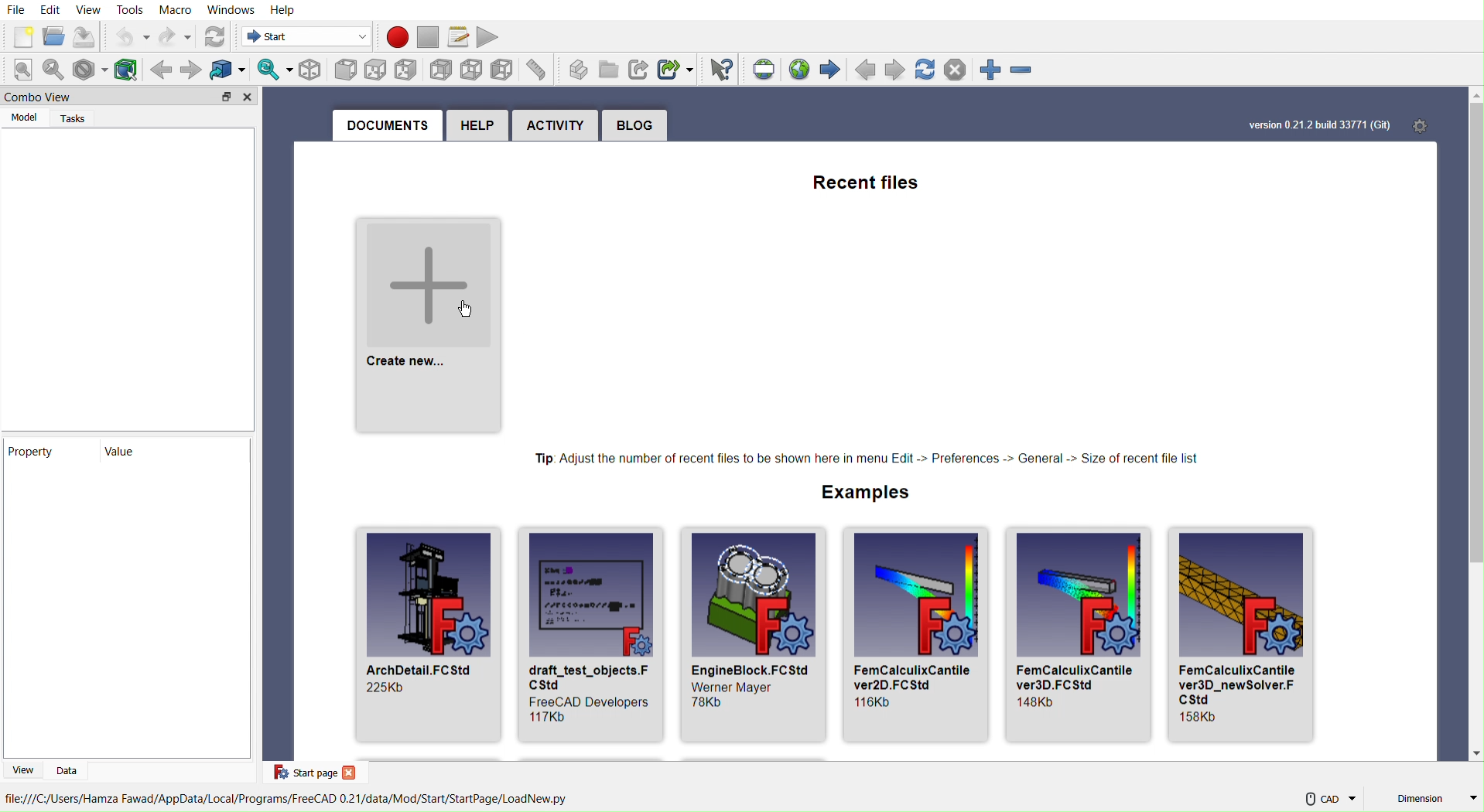 The image size is (1484, 812). Describe the element at coordinates (132, 10) in the screenshot. I see `Tools` at that location.